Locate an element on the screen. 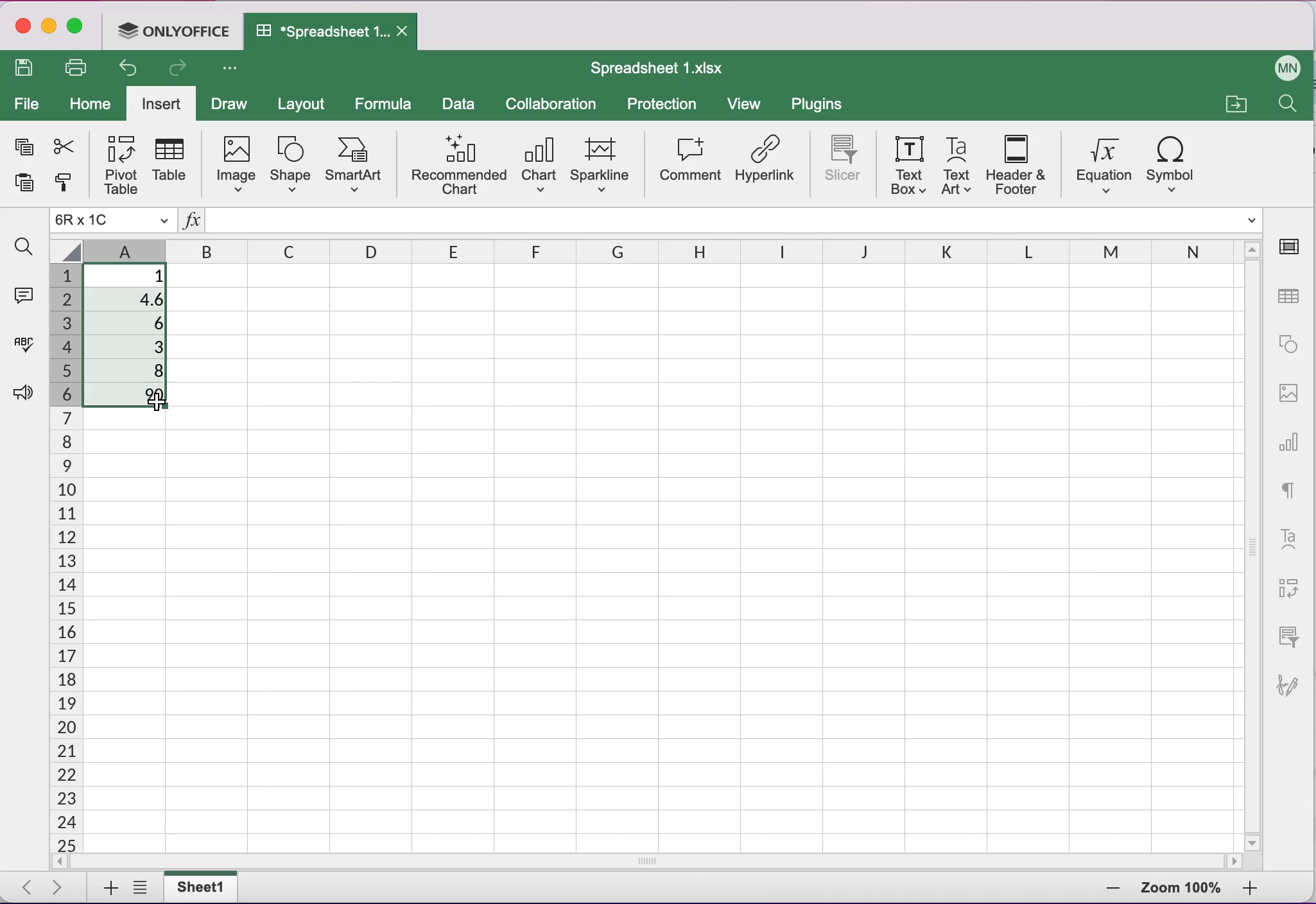  next sheet is located at coordinates (56, 889).